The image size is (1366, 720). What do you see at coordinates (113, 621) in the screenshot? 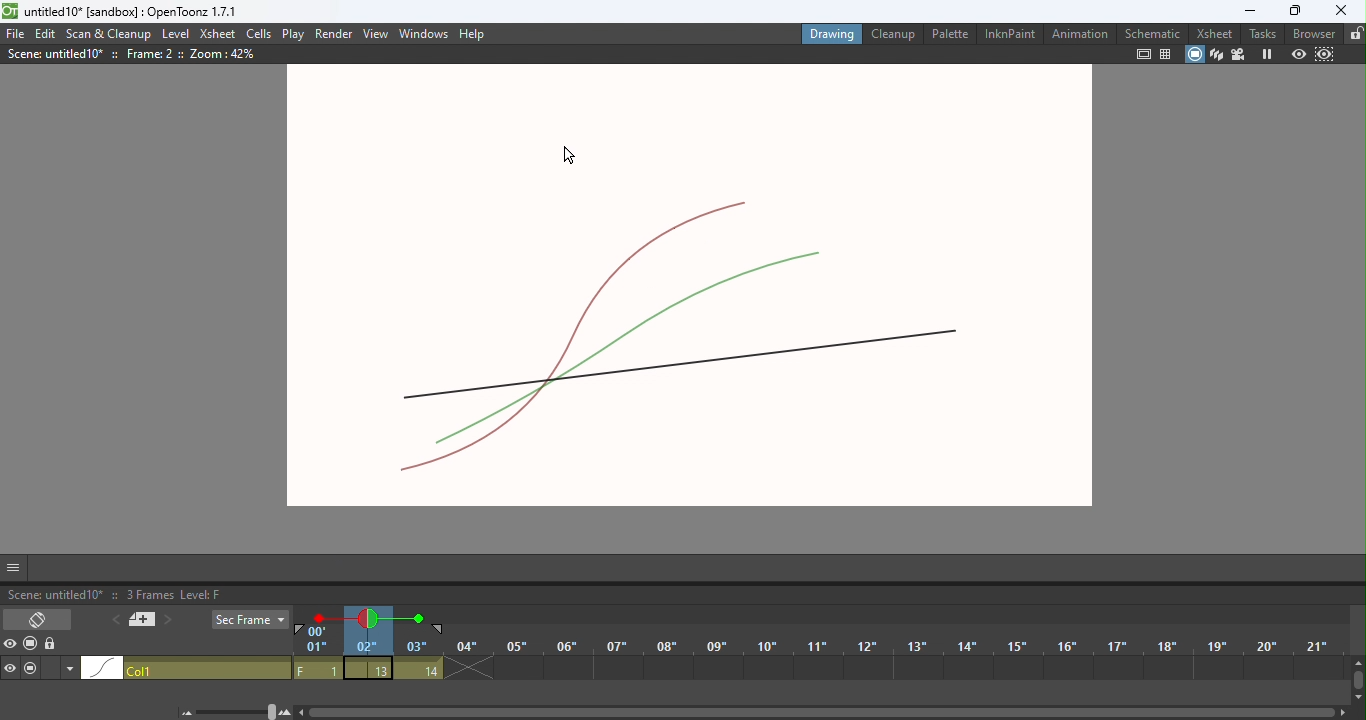
I see `Previous memo` at bounding box center [113, 621].